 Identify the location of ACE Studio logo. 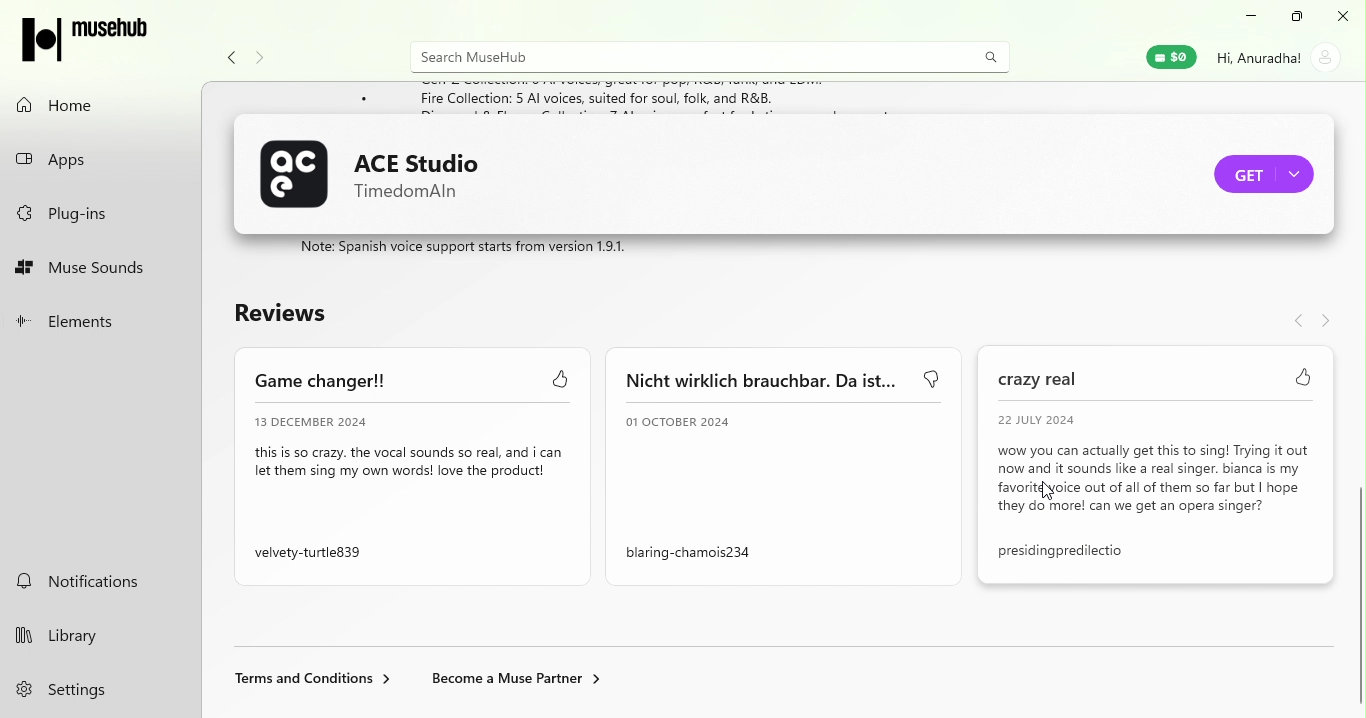
(297, 174).